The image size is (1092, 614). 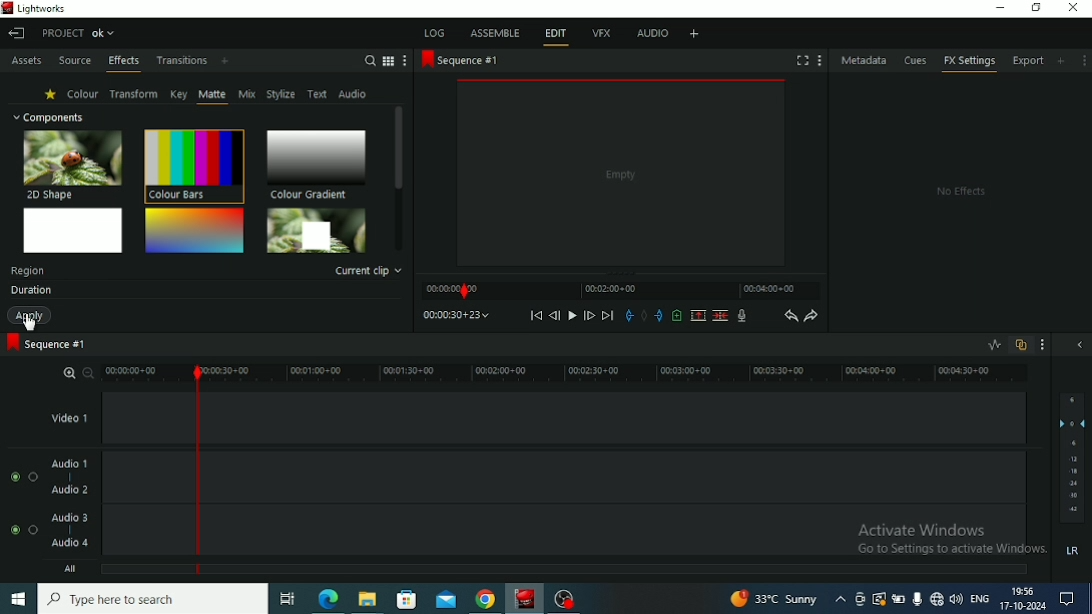 What do you see at coordinates (182, 61) in the screenshot?
I see `Transitions` at bounding box center [182, 61].